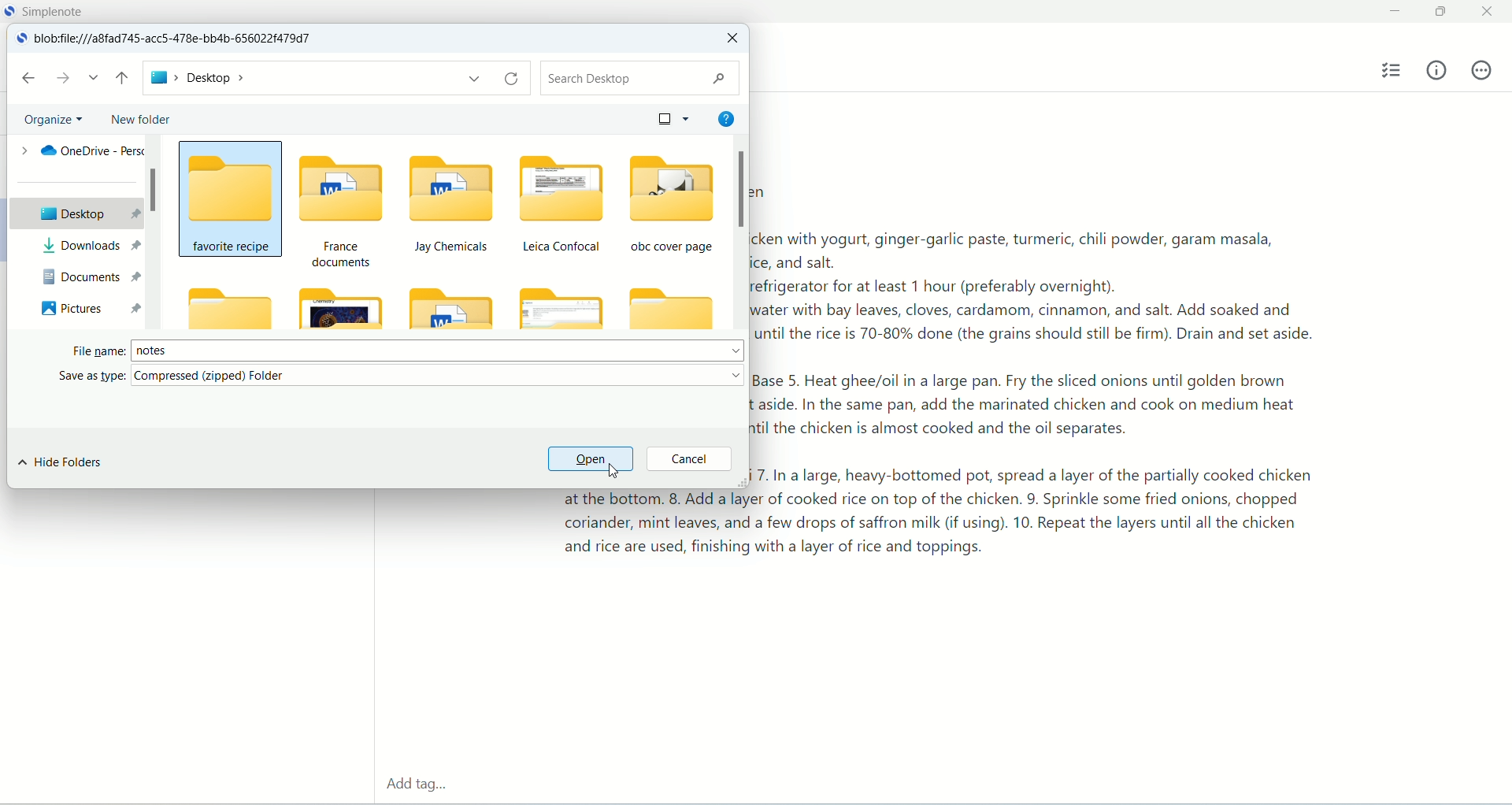 The height and width of the screenshot is (805, 1512). I want to click on help, so click(724, 117).